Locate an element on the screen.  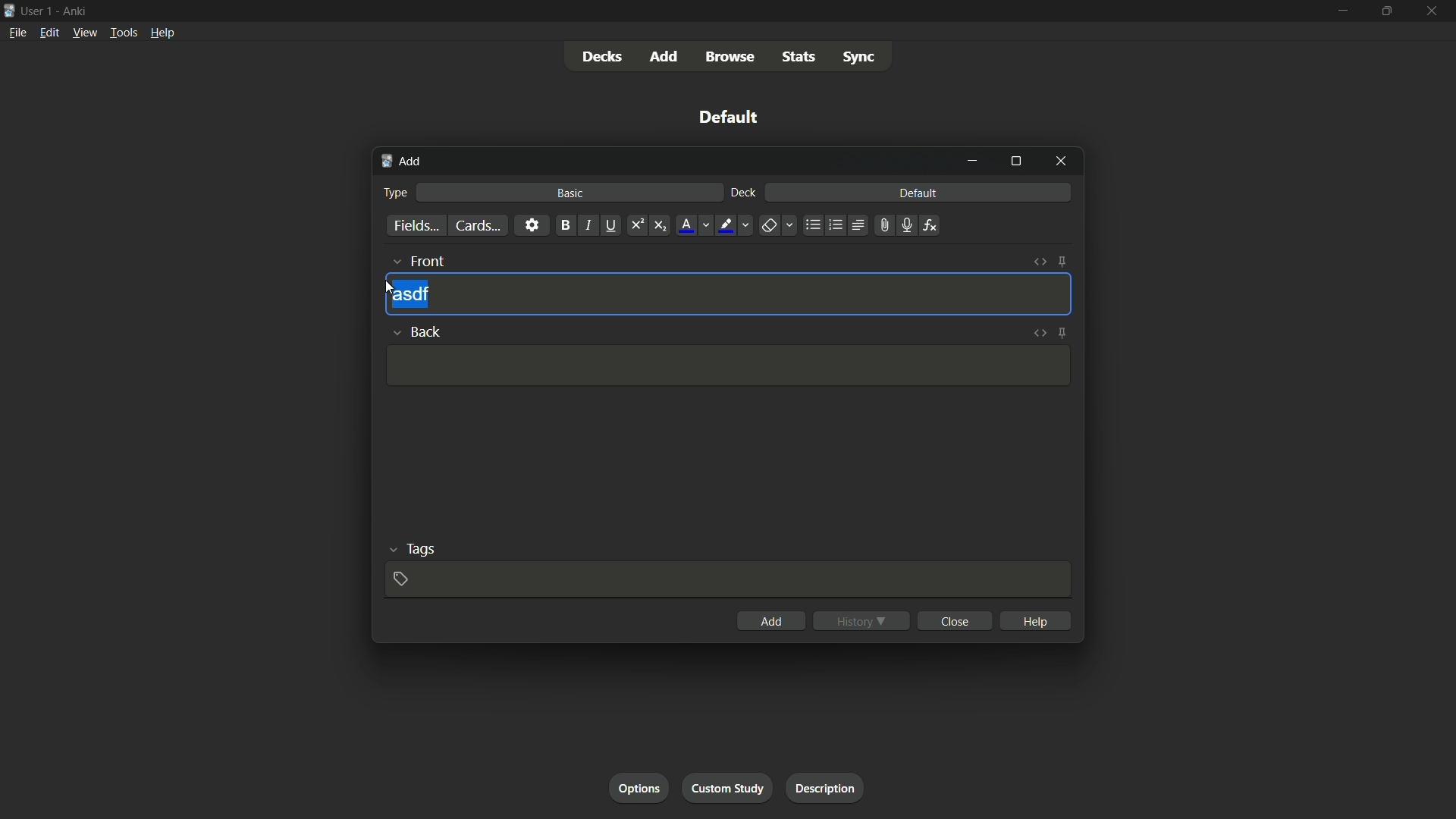
record audio is located at coordinates (908, 224).